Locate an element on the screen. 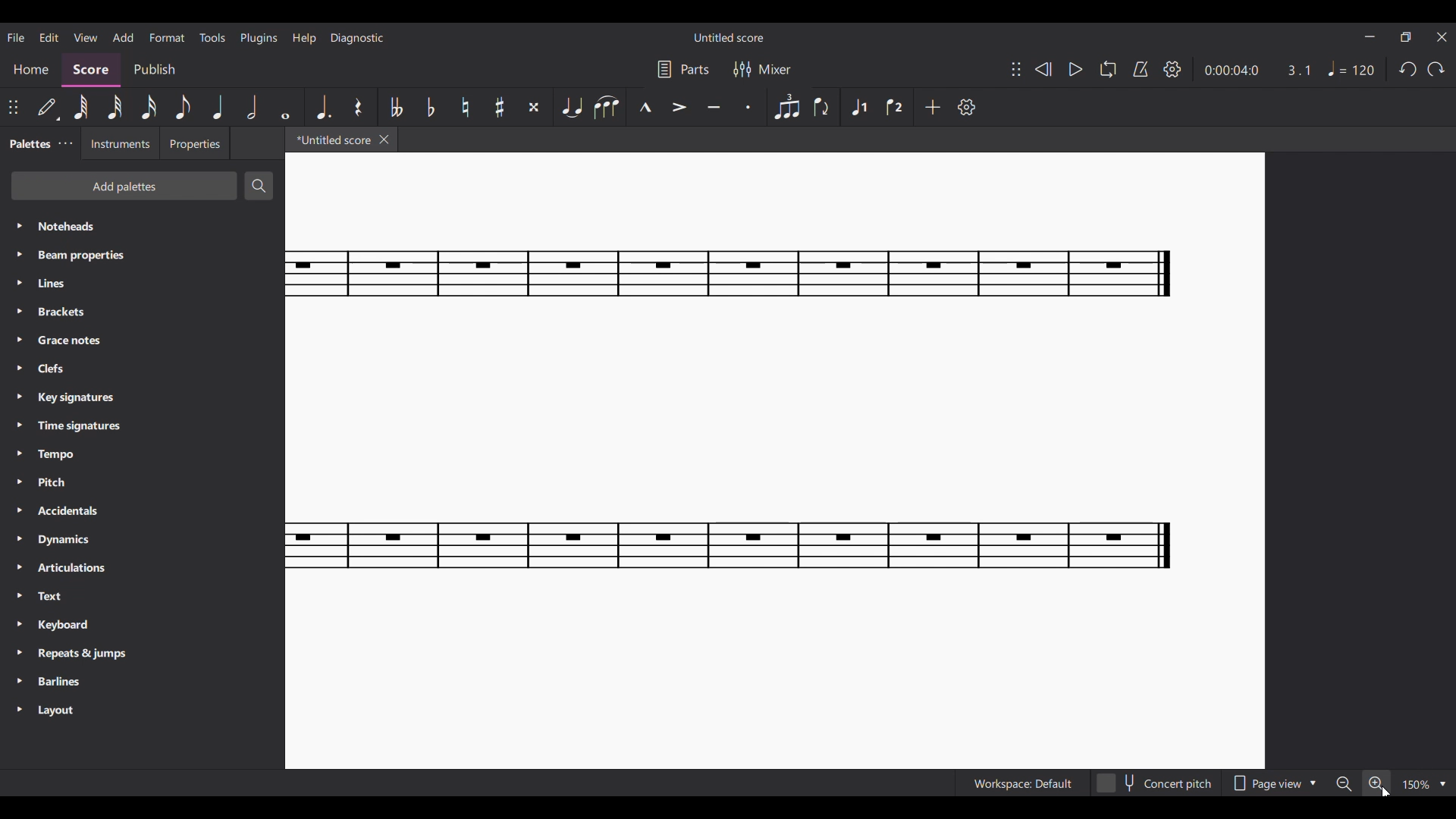  Search is located at coordinates (259, 185).